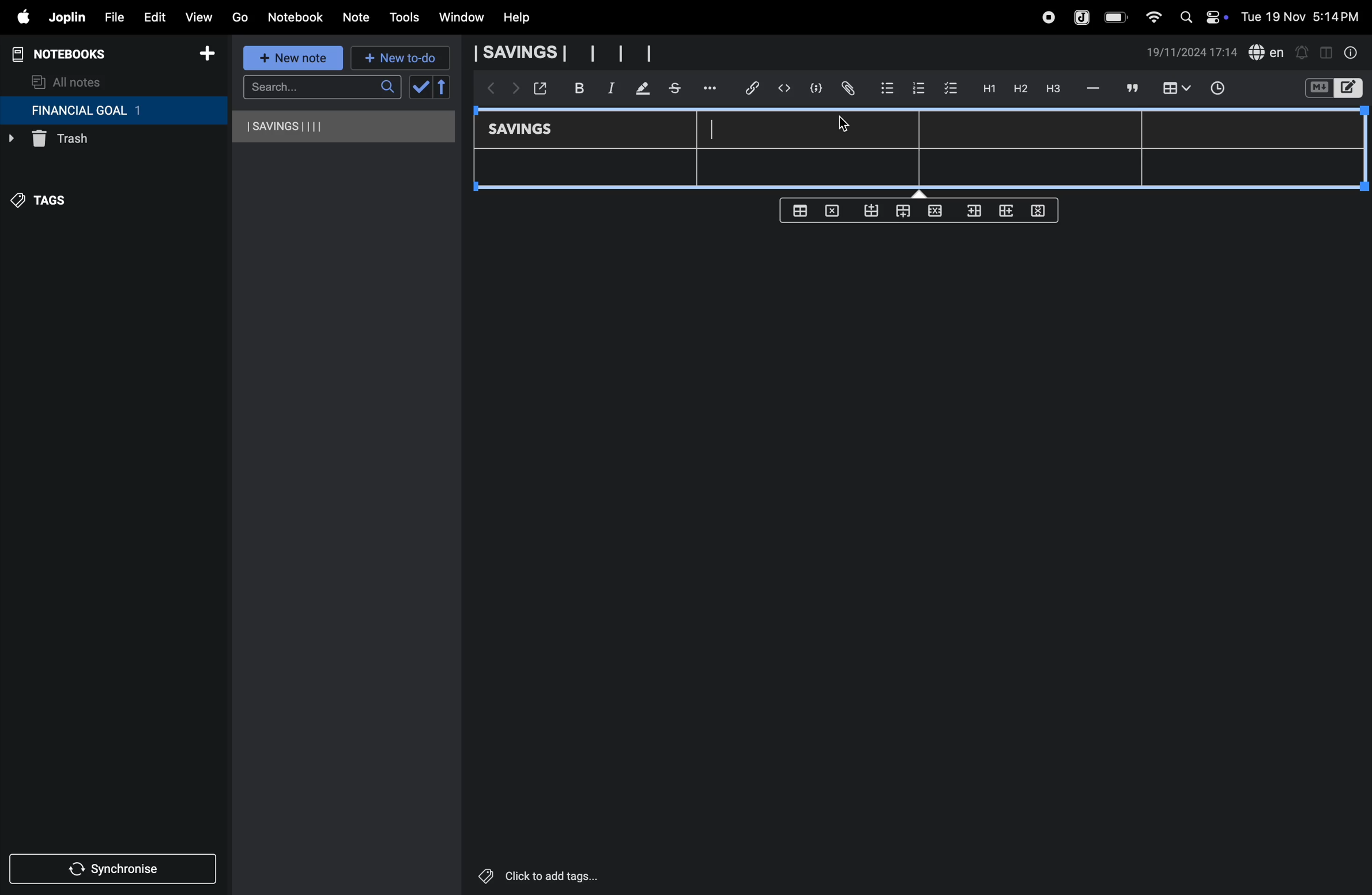  Describe the element at coordinates (1053, 89) in the screenshot. I see `heading 3` at that location.